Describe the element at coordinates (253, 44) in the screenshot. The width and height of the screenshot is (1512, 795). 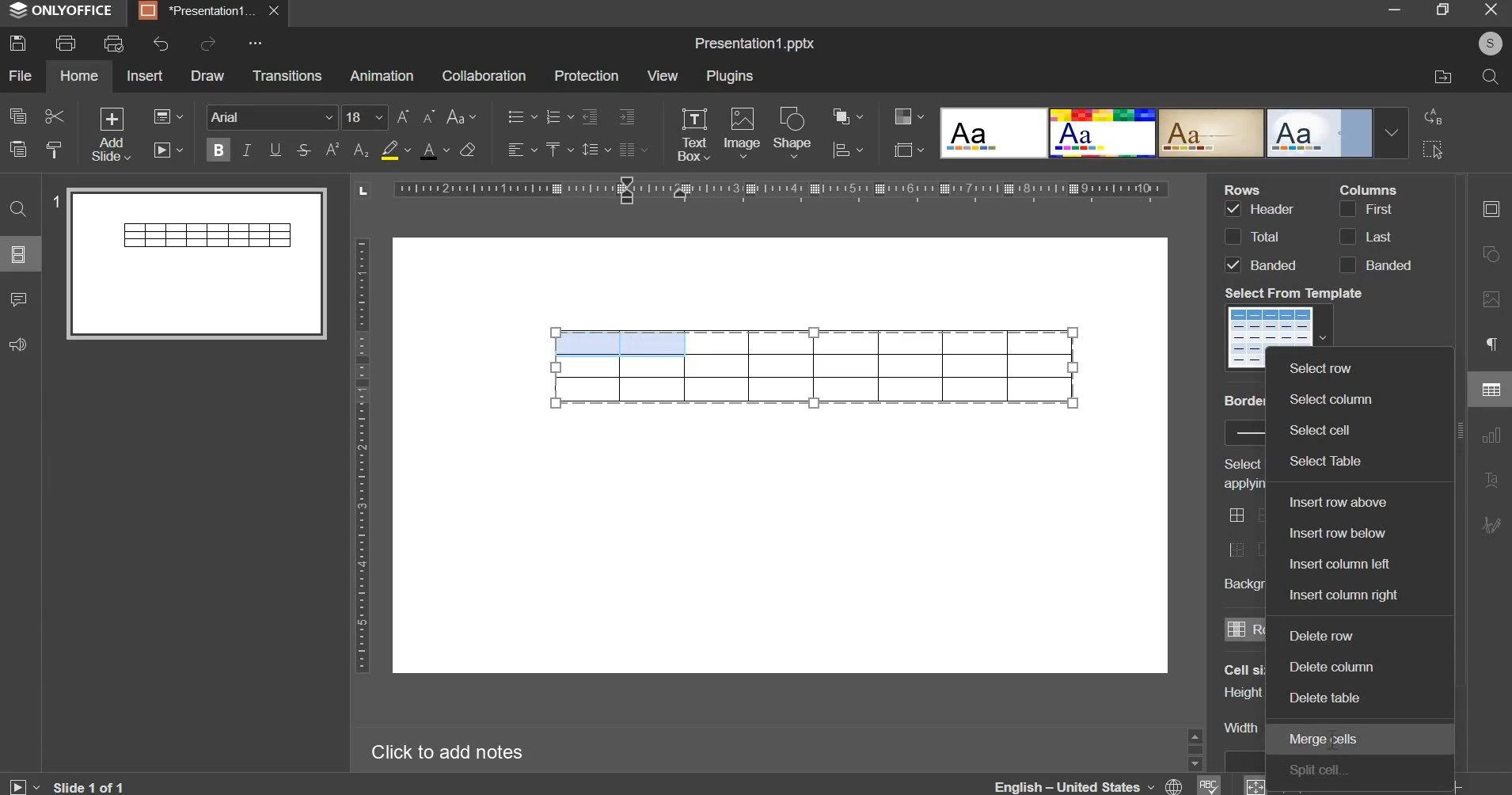
I see `More` at that location.